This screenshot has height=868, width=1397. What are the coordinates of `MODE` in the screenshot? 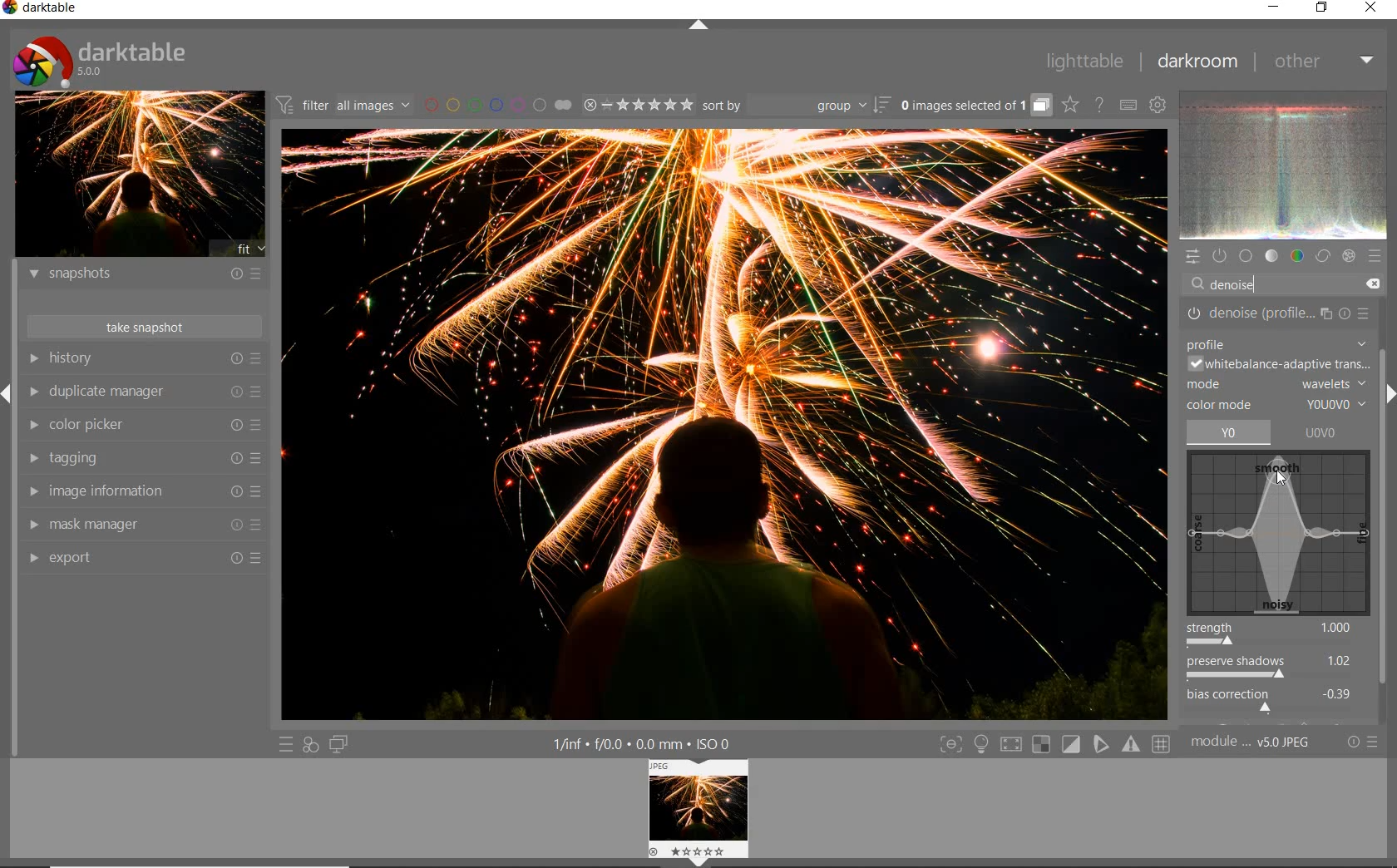 It's located at (1277, 386).